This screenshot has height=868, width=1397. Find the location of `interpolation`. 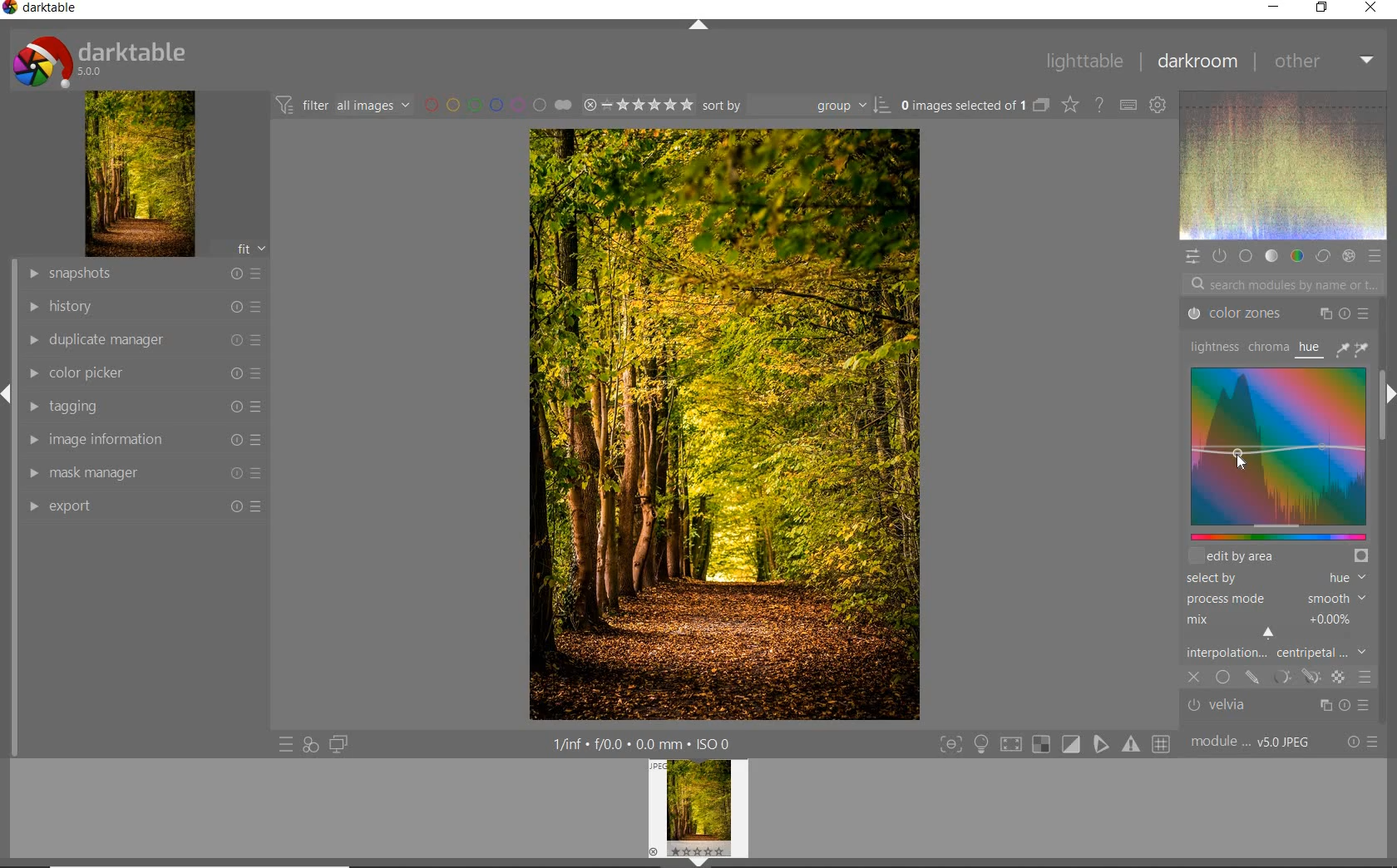

interpolation is located at coordinates (1281, 654).